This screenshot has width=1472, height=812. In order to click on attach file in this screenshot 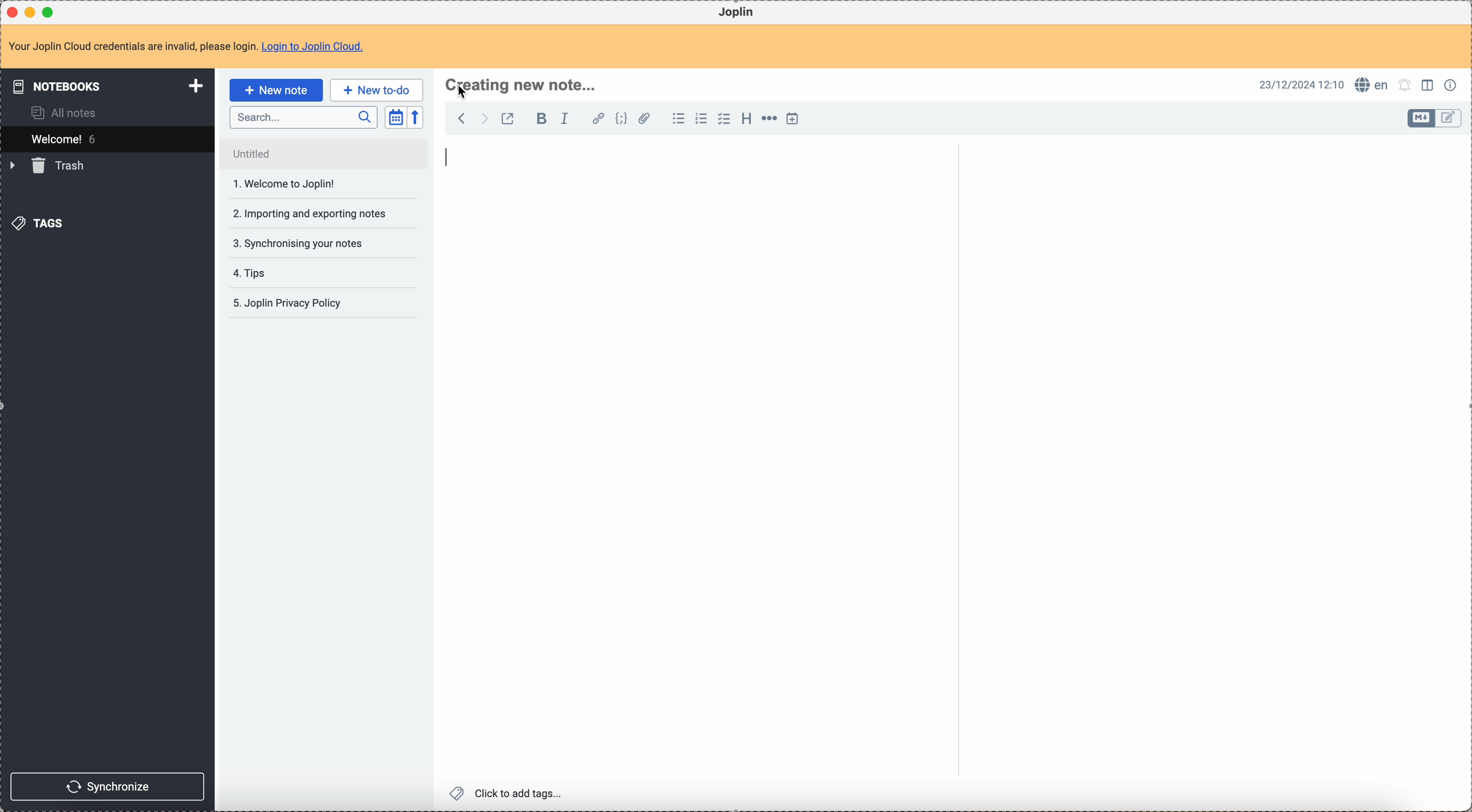, I will do `click(644, 119)`.